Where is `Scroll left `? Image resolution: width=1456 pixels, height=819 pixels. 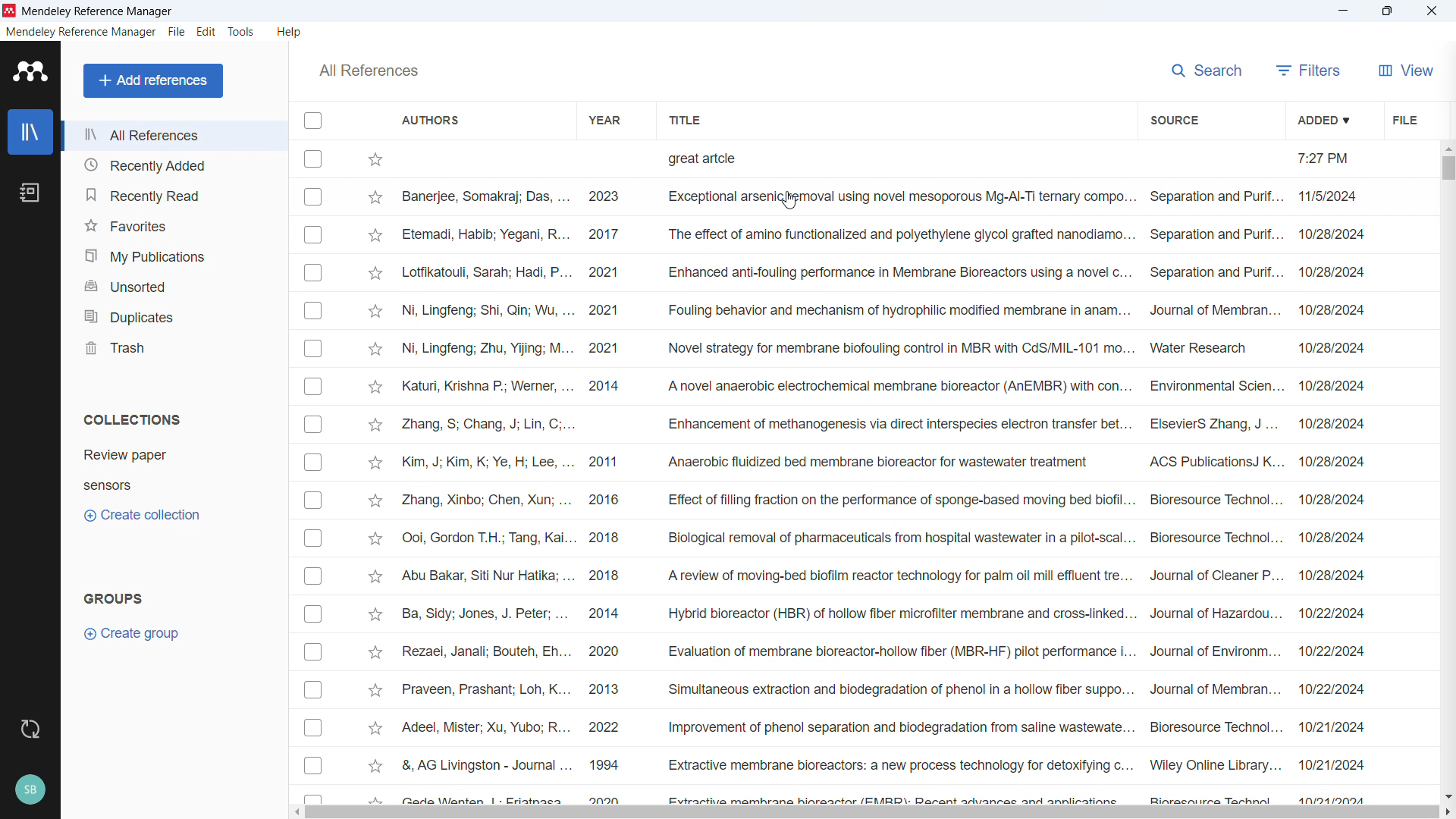 Scroll left  is located at coordinates (294, 812).